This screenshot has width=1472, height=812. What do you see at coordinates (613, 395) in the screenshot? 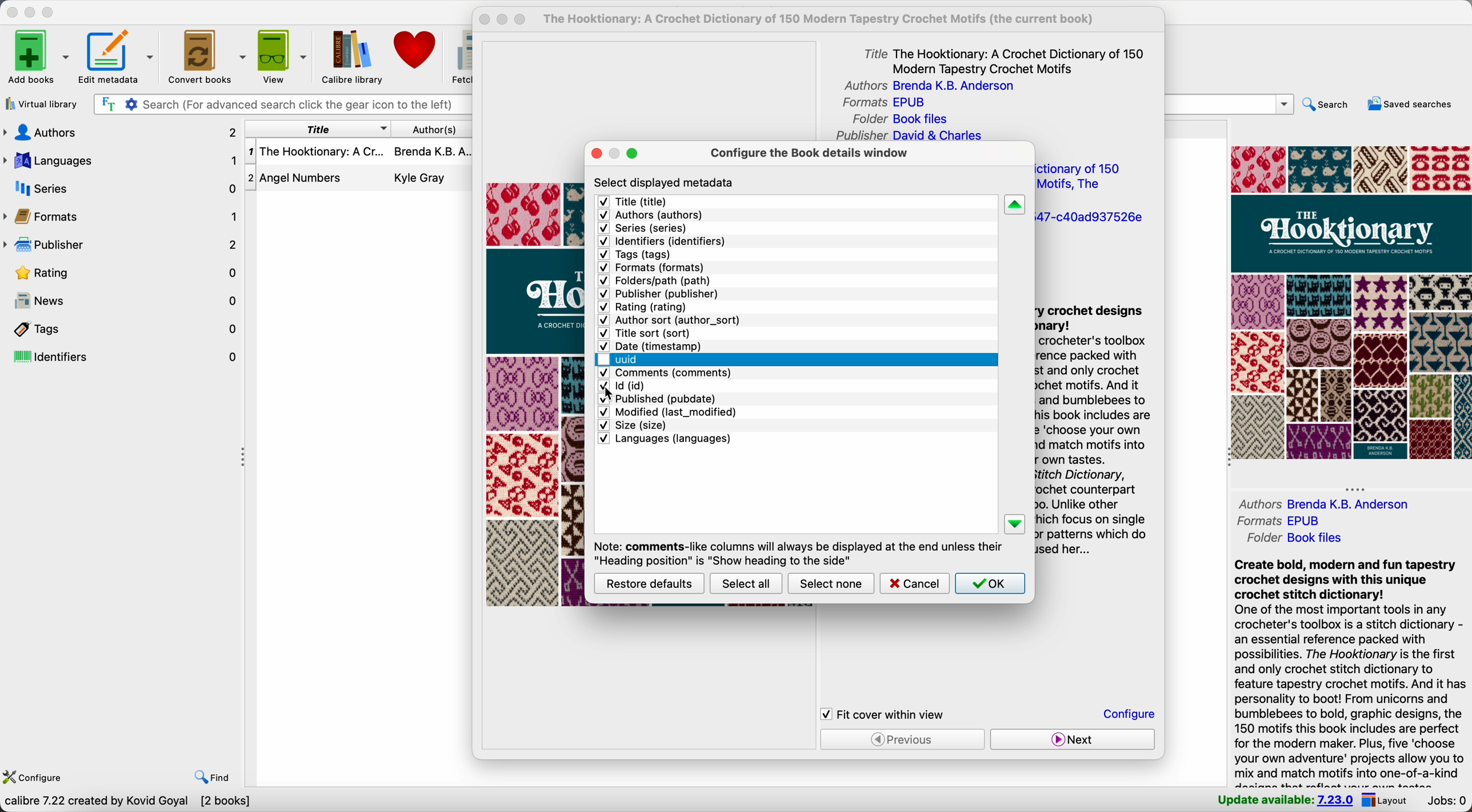
I see `cursor` at bounding box center [613, 395].